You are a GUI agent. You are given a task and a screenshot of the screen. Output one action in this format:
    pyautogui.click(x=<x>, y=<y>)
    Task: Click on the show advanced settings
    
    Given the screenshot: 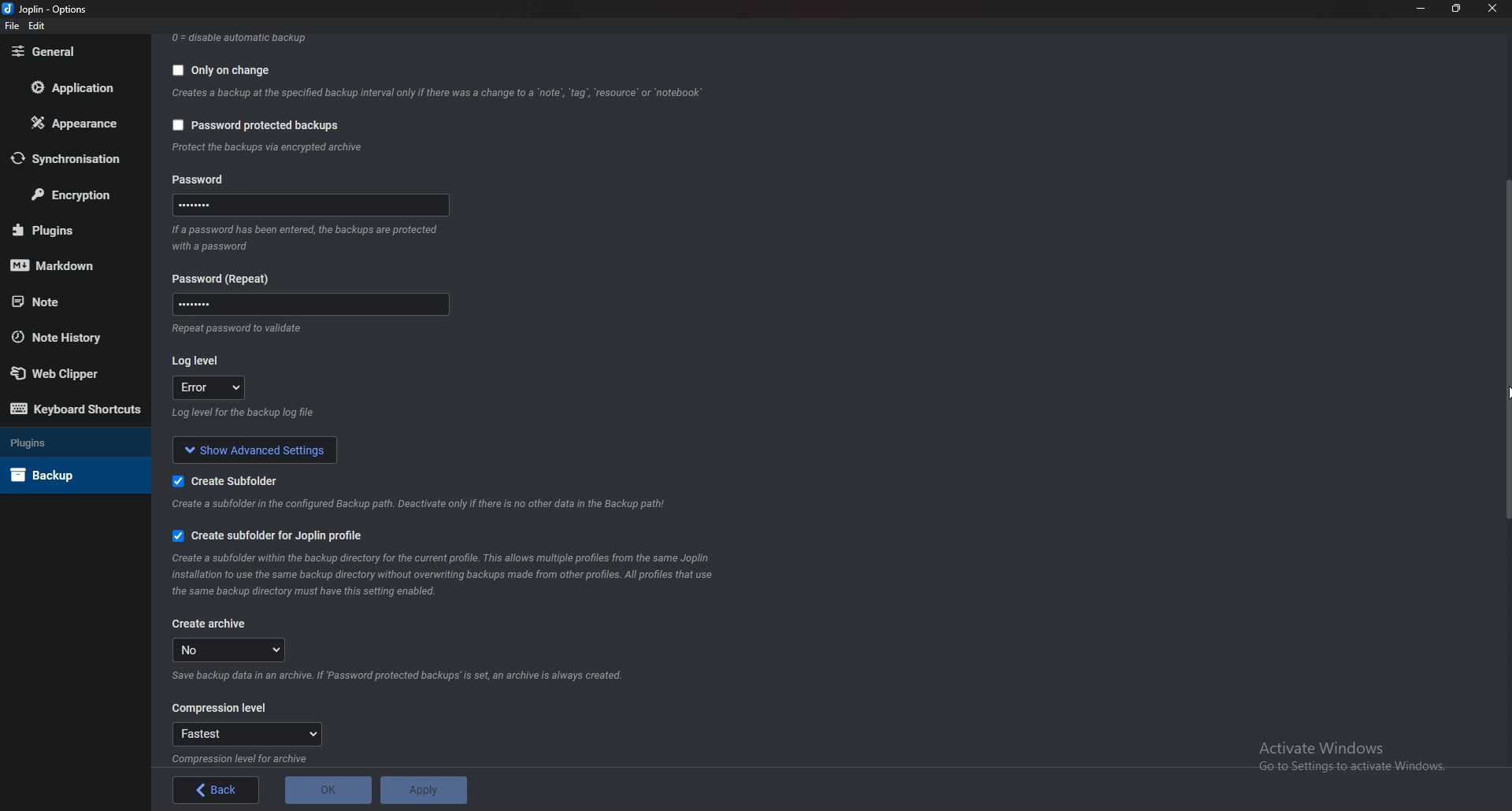 What is the action you would take?
    pyautogui.click(x=255, y=449)
    